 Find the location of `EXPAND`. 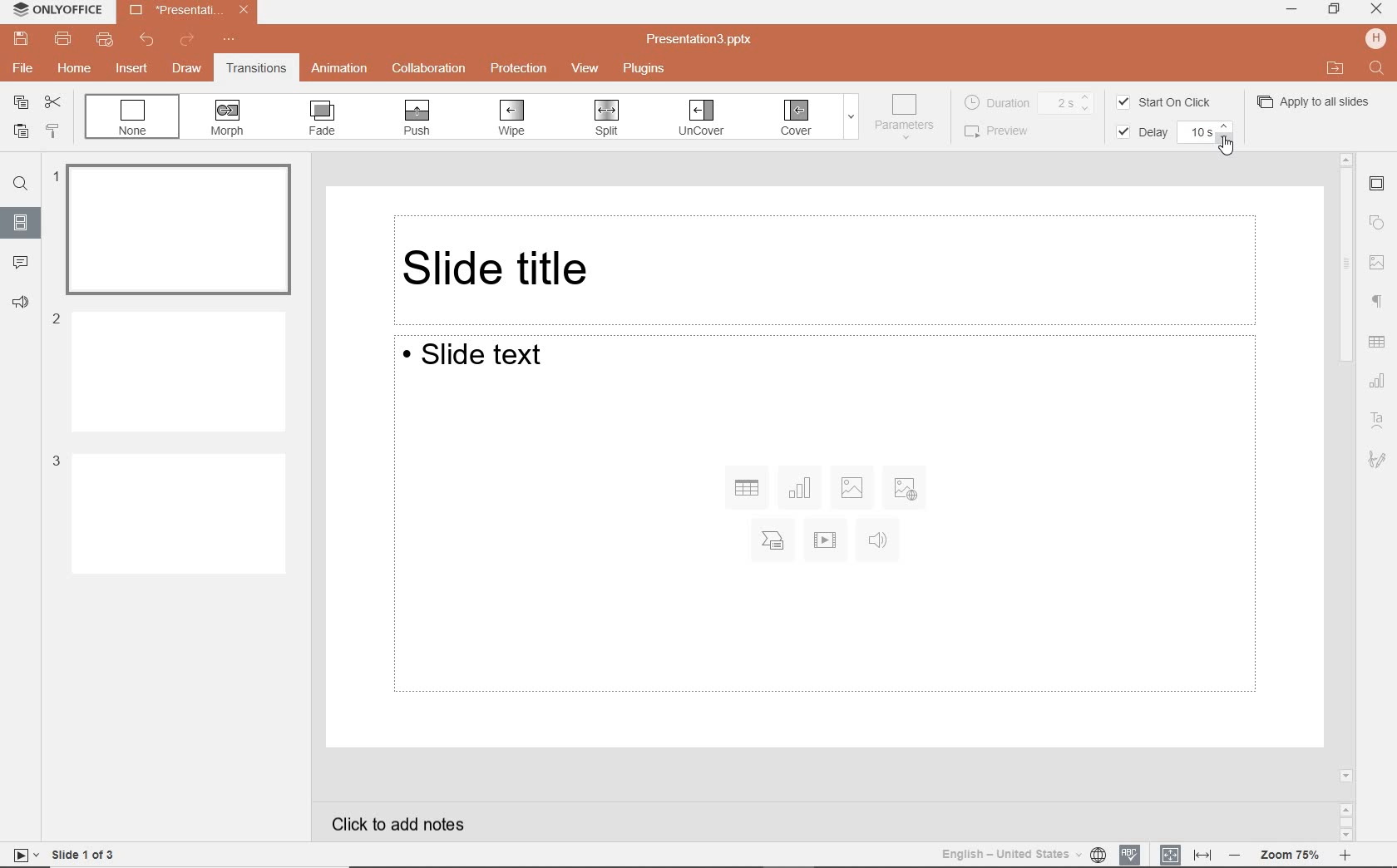

EXPAND is located at coordinates (851, 120).